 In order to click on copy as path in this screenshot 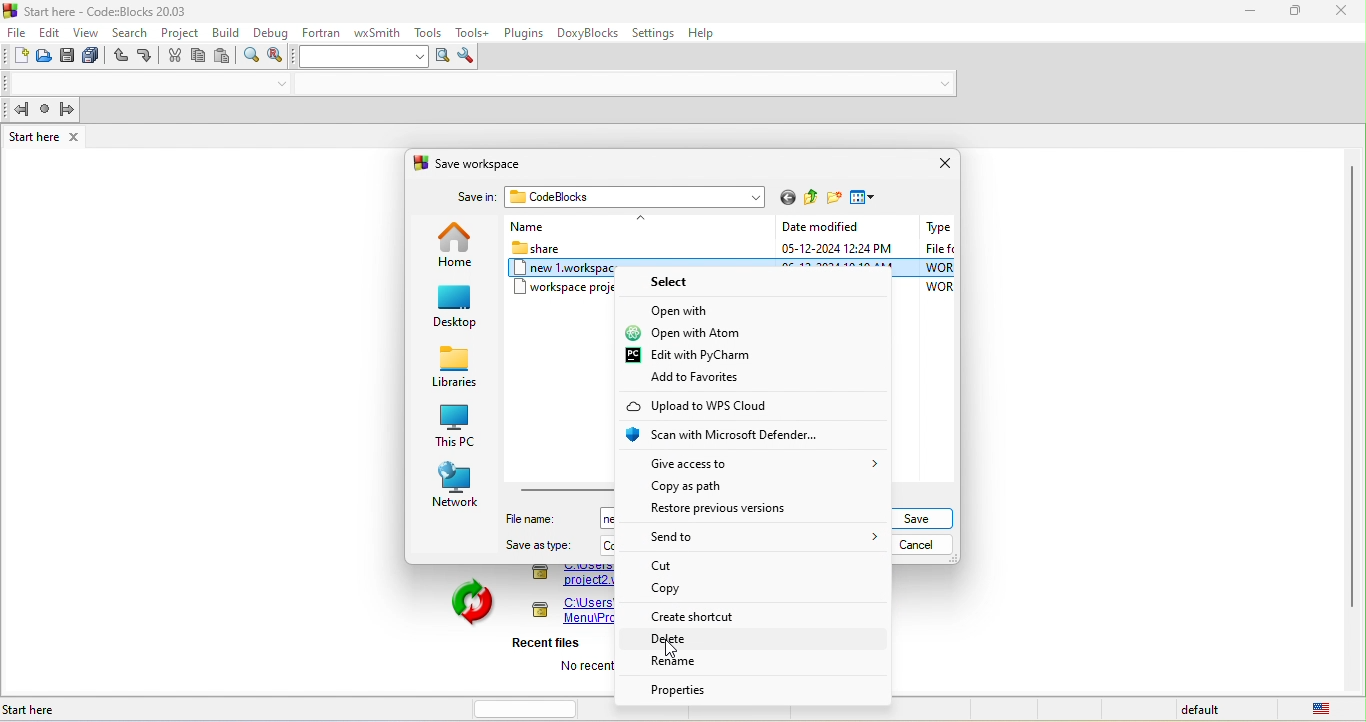, I will do `click(714, 487)`.